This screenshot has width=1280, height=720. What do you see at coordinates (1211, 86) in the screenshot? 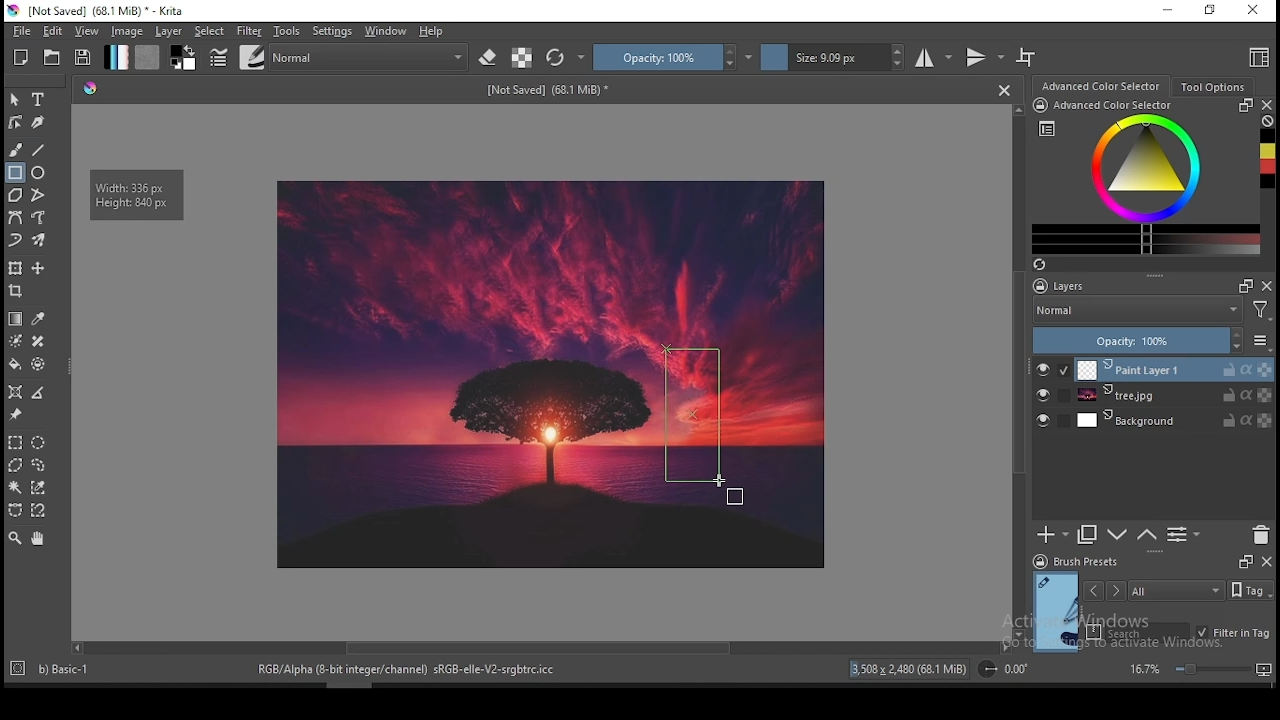
I see `tool options` at bounding box center [1211, 86].